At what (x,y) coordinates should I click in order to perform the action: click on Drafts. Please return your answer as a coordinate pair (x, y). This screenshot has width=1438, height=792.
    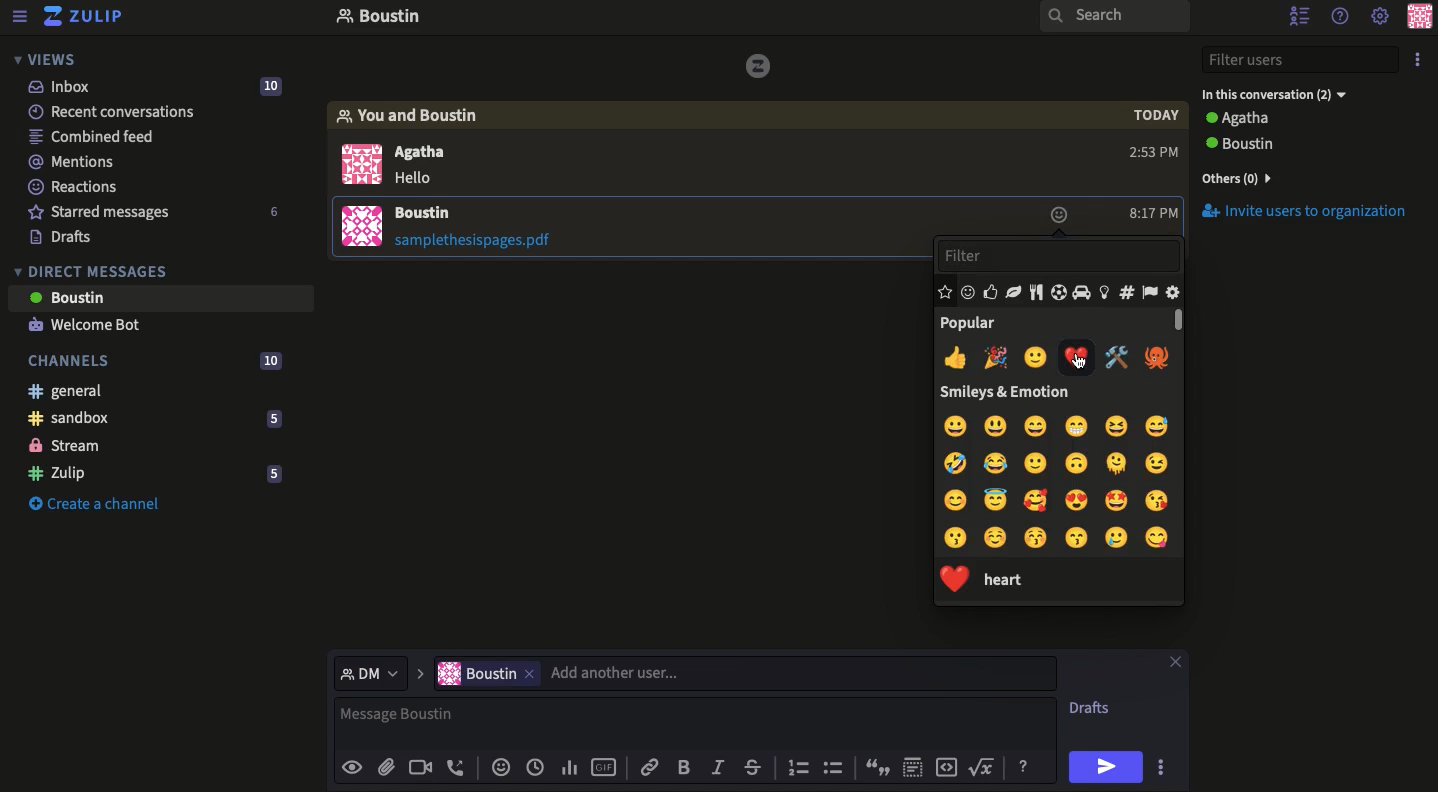
    Looking at the image, I should click on (1090, 702).